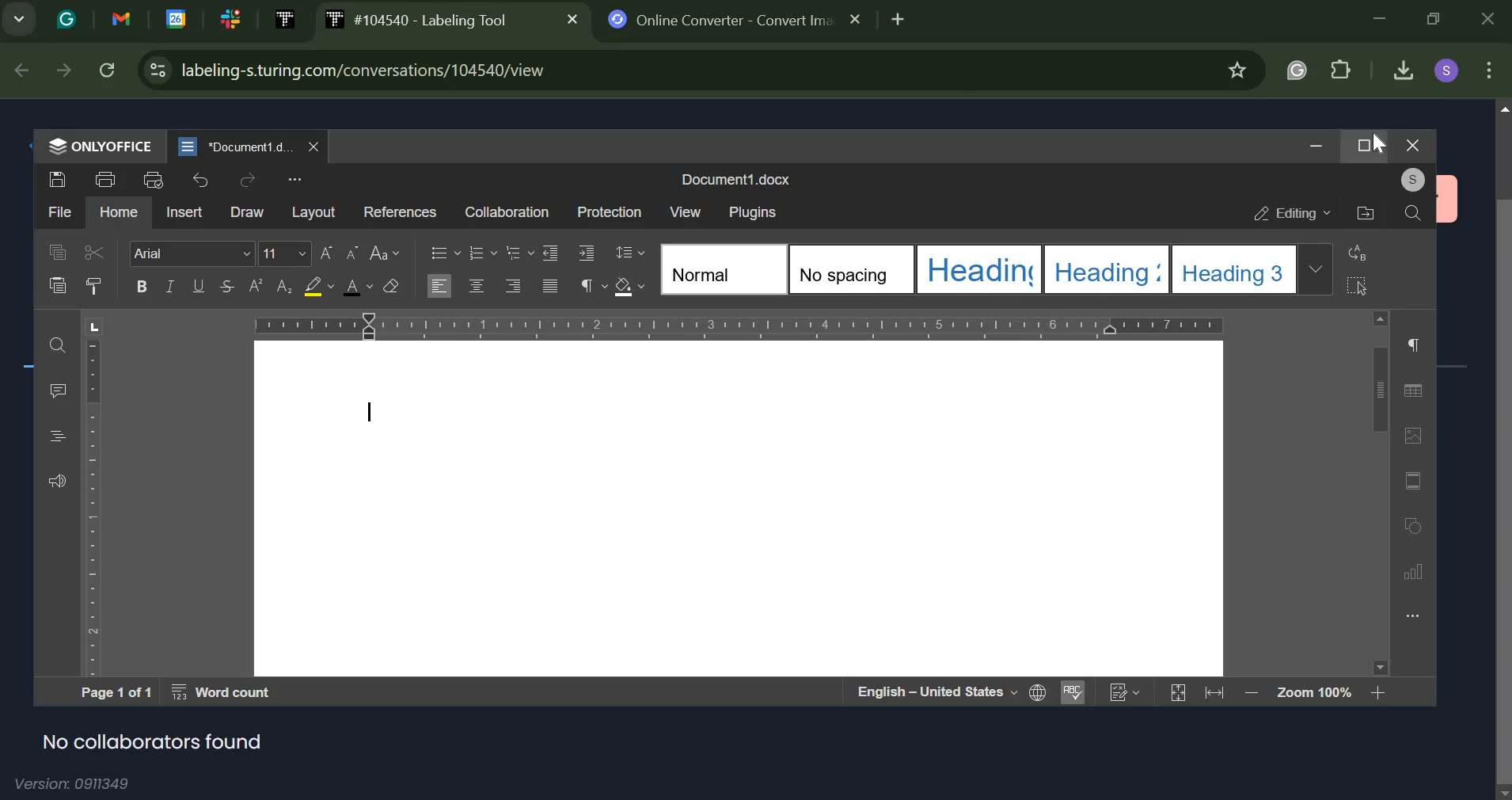  I want to click on references, so click(399, 212).